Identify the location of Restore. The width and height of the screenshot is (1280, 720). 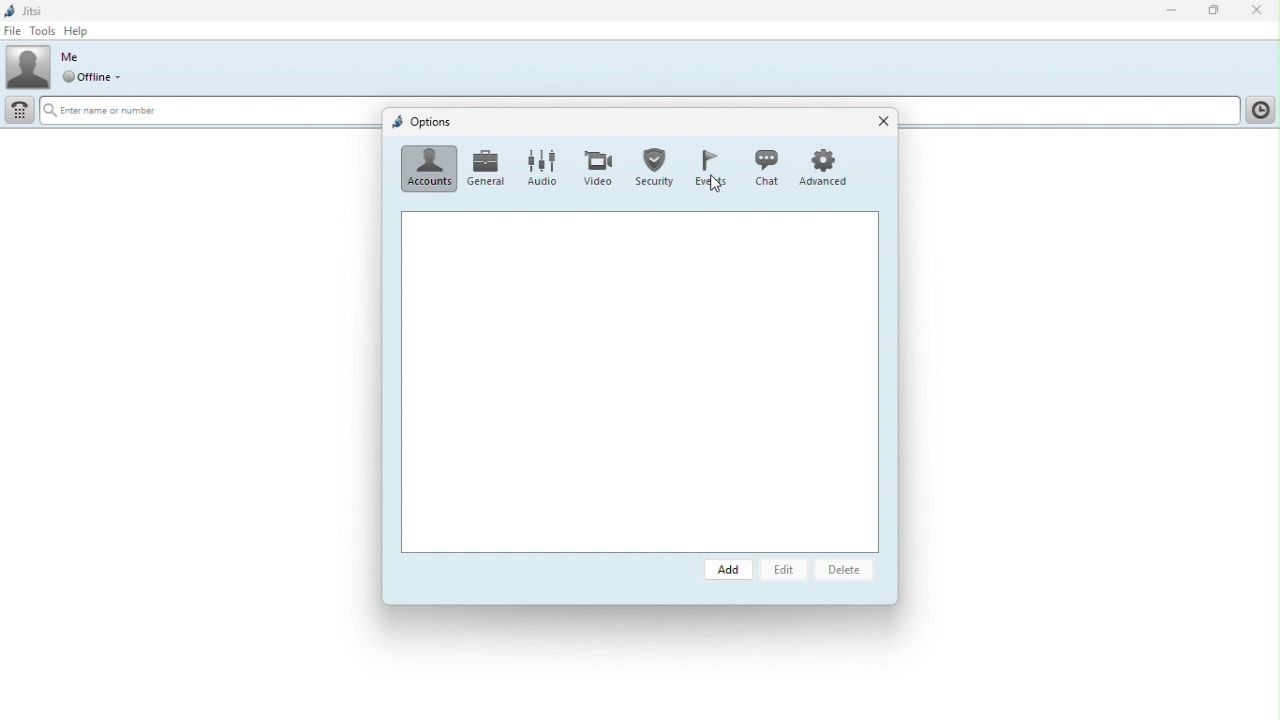
(1215, 12).